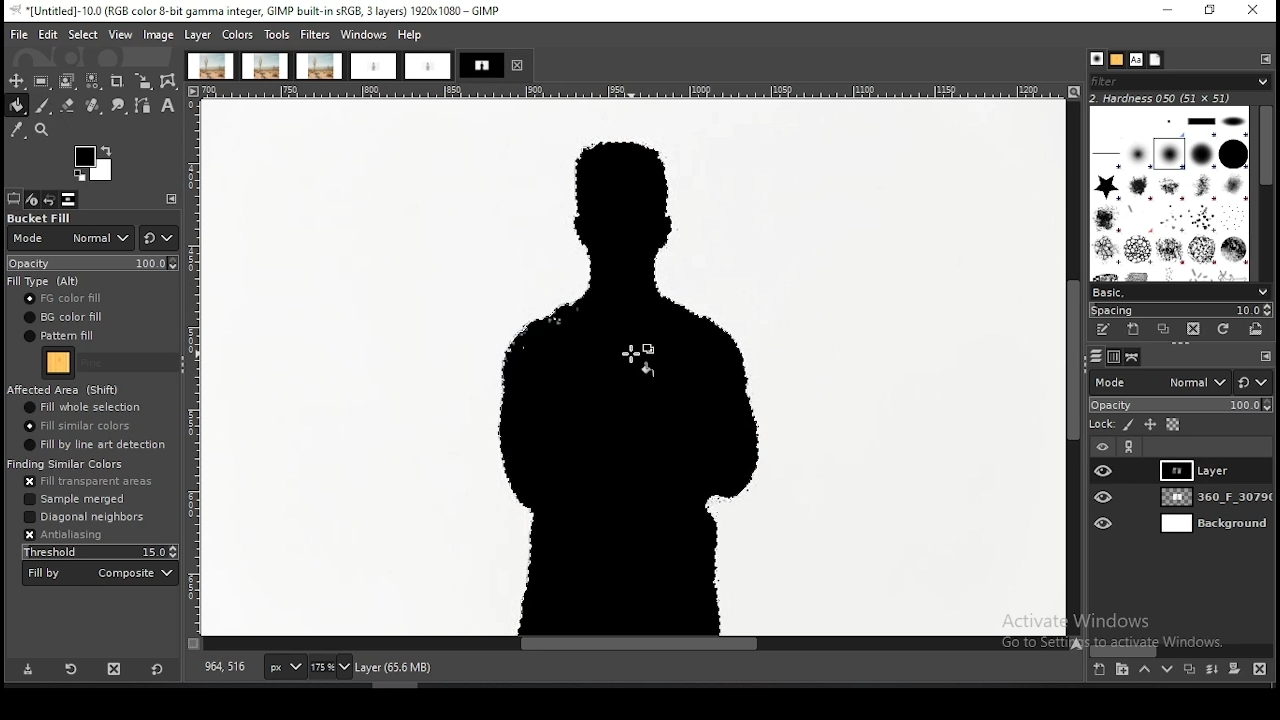 This screenshot has width=1280, height=720. What do you see at coordinates (227, 668) in the screenshot?
I see `775, 465` at bounding box center [227, 668].